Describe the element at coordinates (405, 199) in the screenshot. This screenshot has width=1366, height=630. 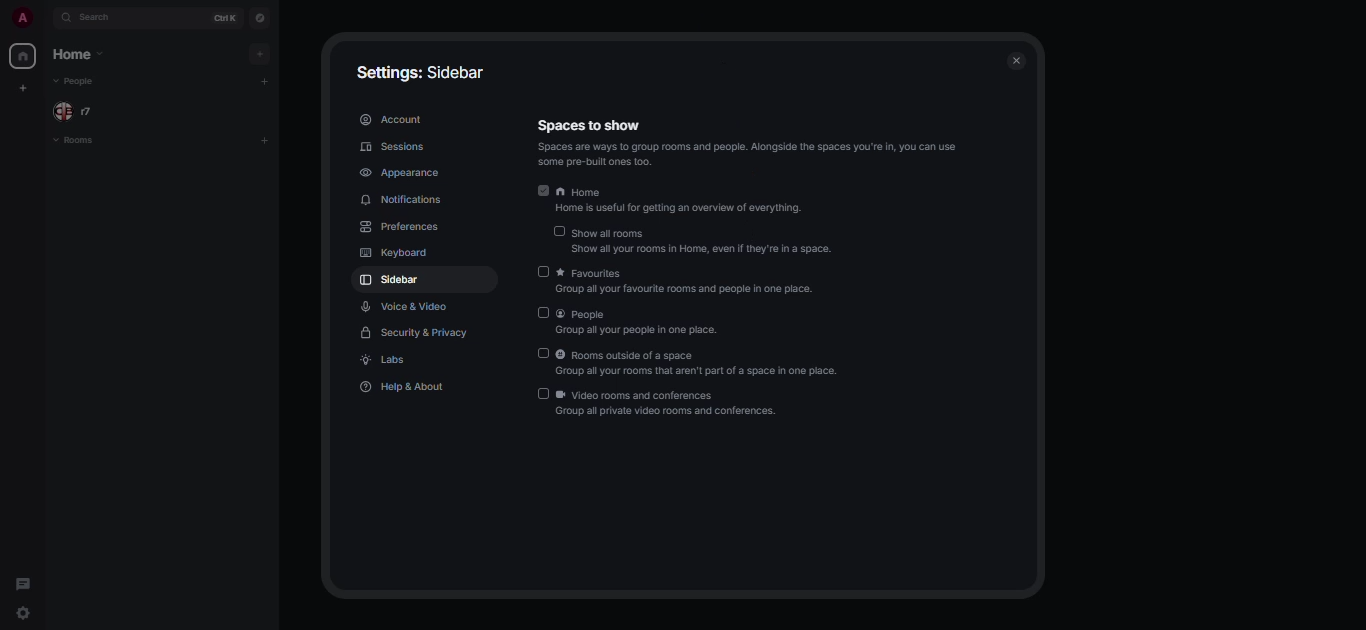
I see `notifications` at that location.